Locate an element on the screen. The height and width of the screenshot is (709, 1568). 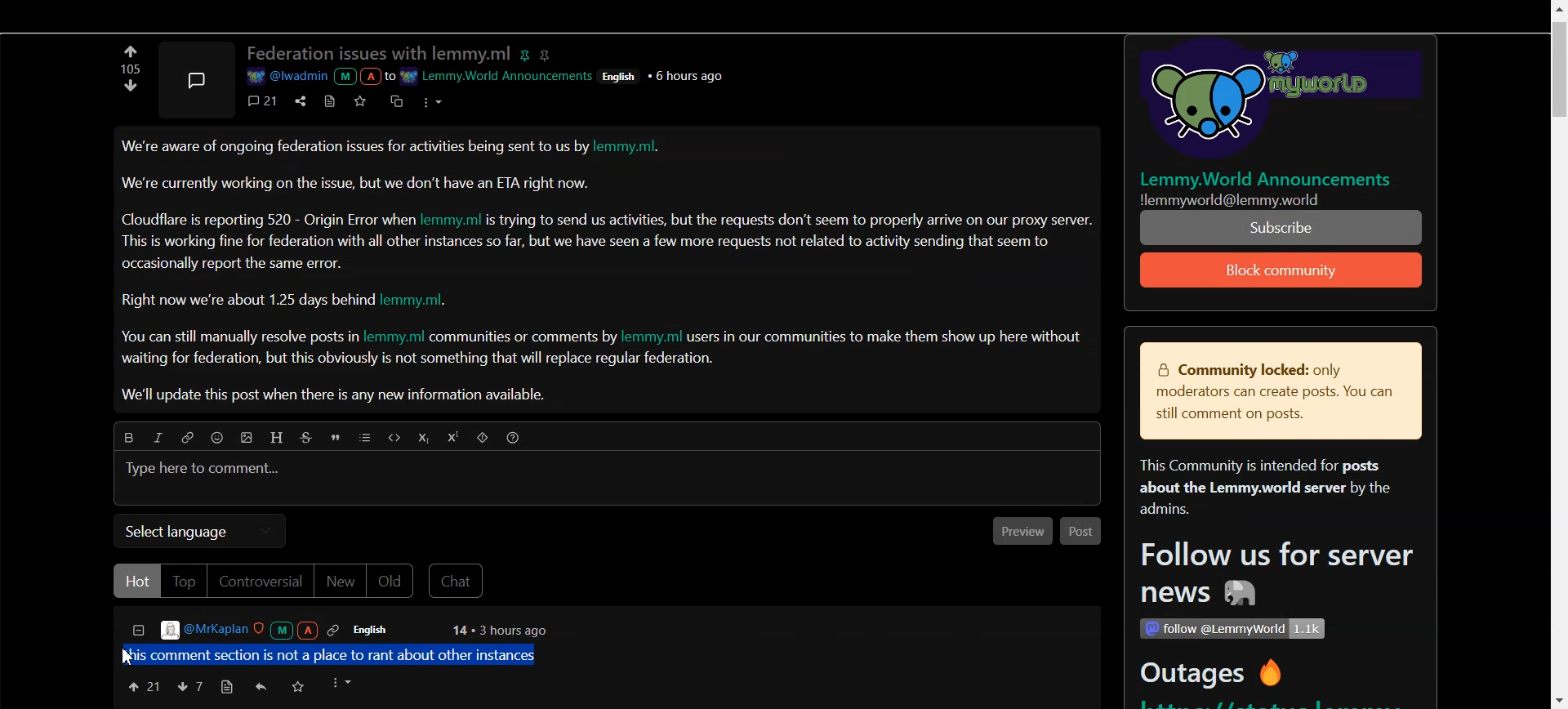
English is located at coordinates (381, 630).